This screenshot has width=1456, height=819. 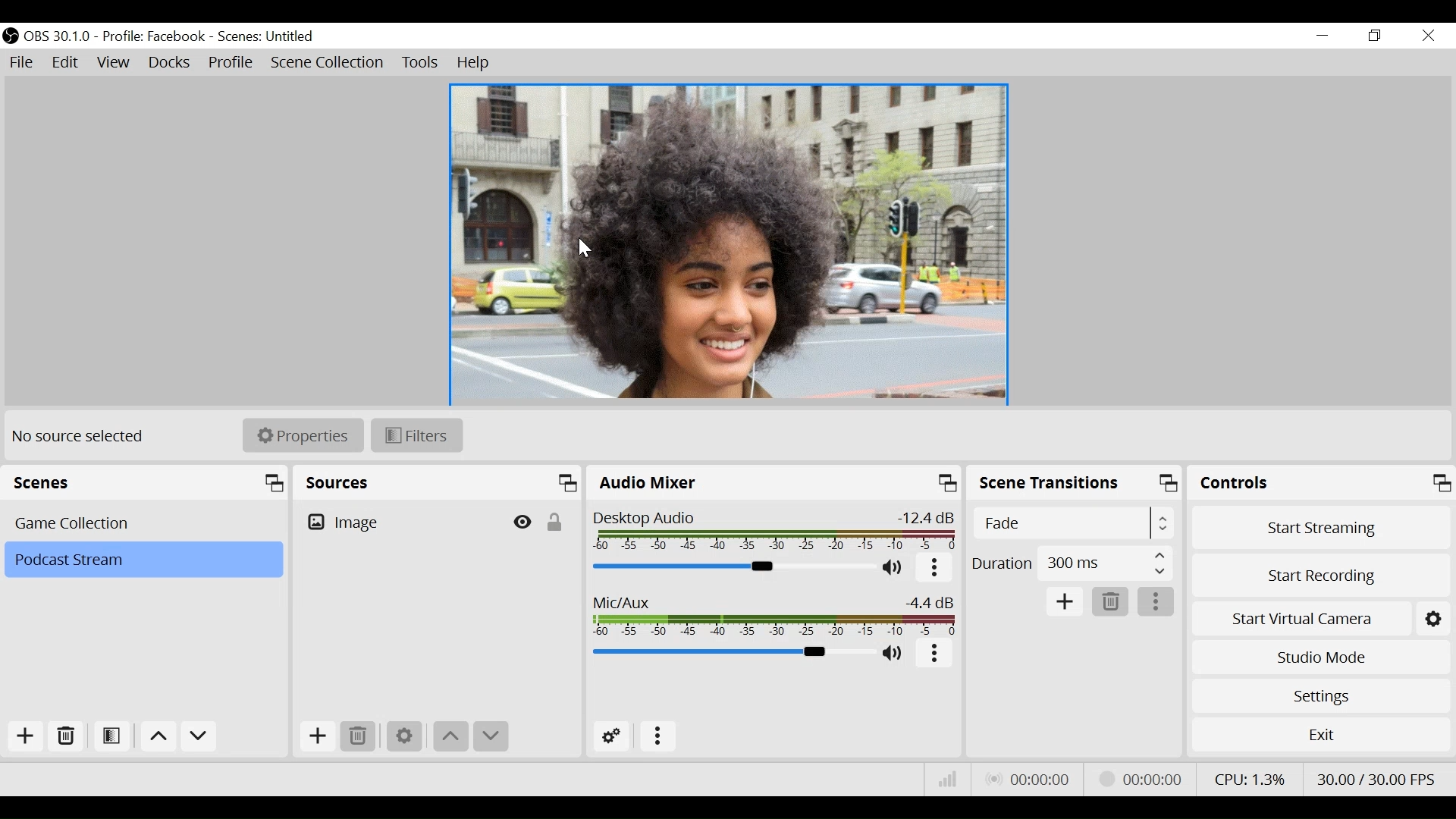 I want to click on Move down, so click(x=489, y=736).